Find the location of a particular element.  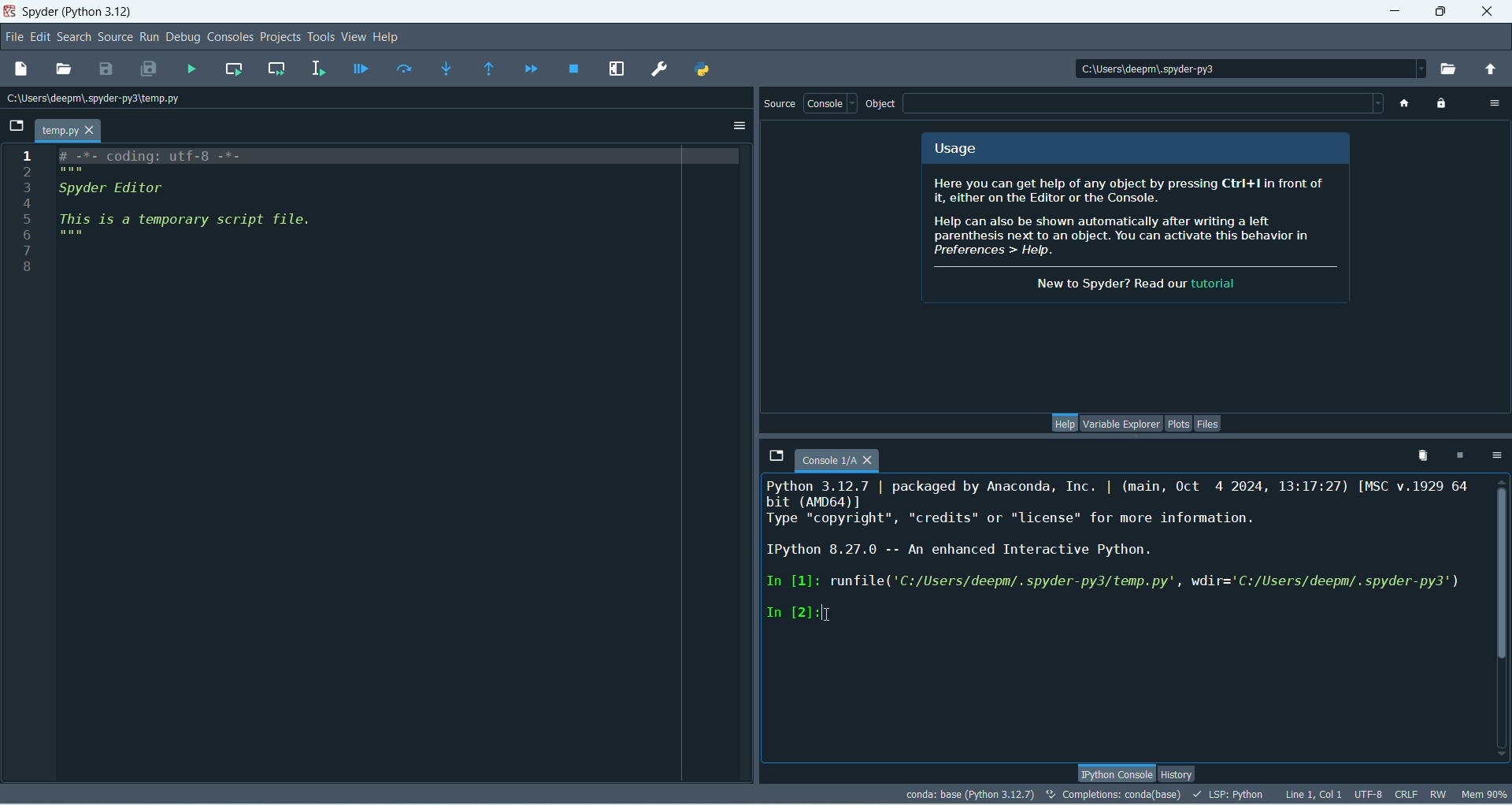

script file is located at coordinates (227, 207).